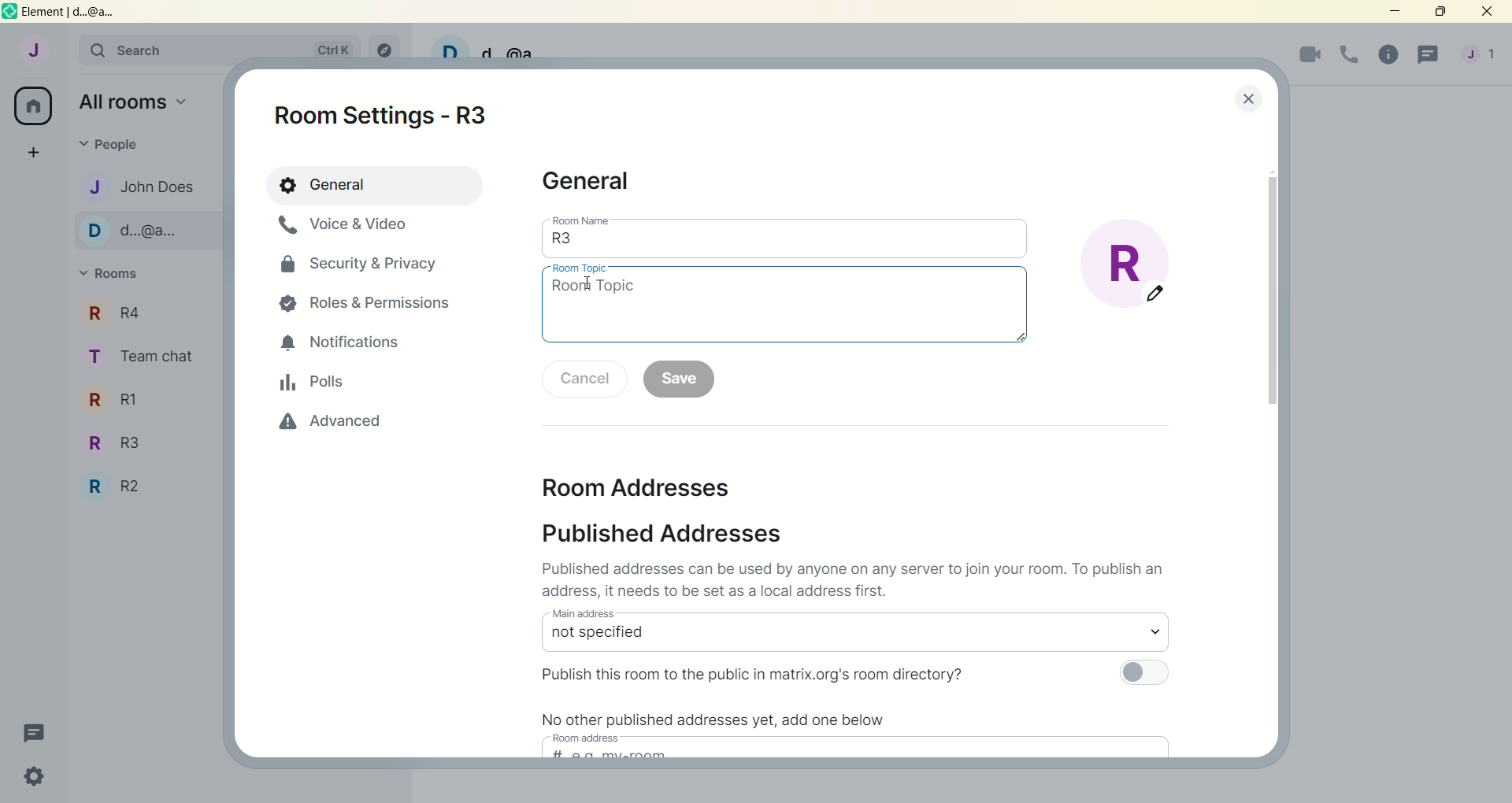  Describe the element at coordinates (143, 312) in the screenshot. I see `r4` at that location.